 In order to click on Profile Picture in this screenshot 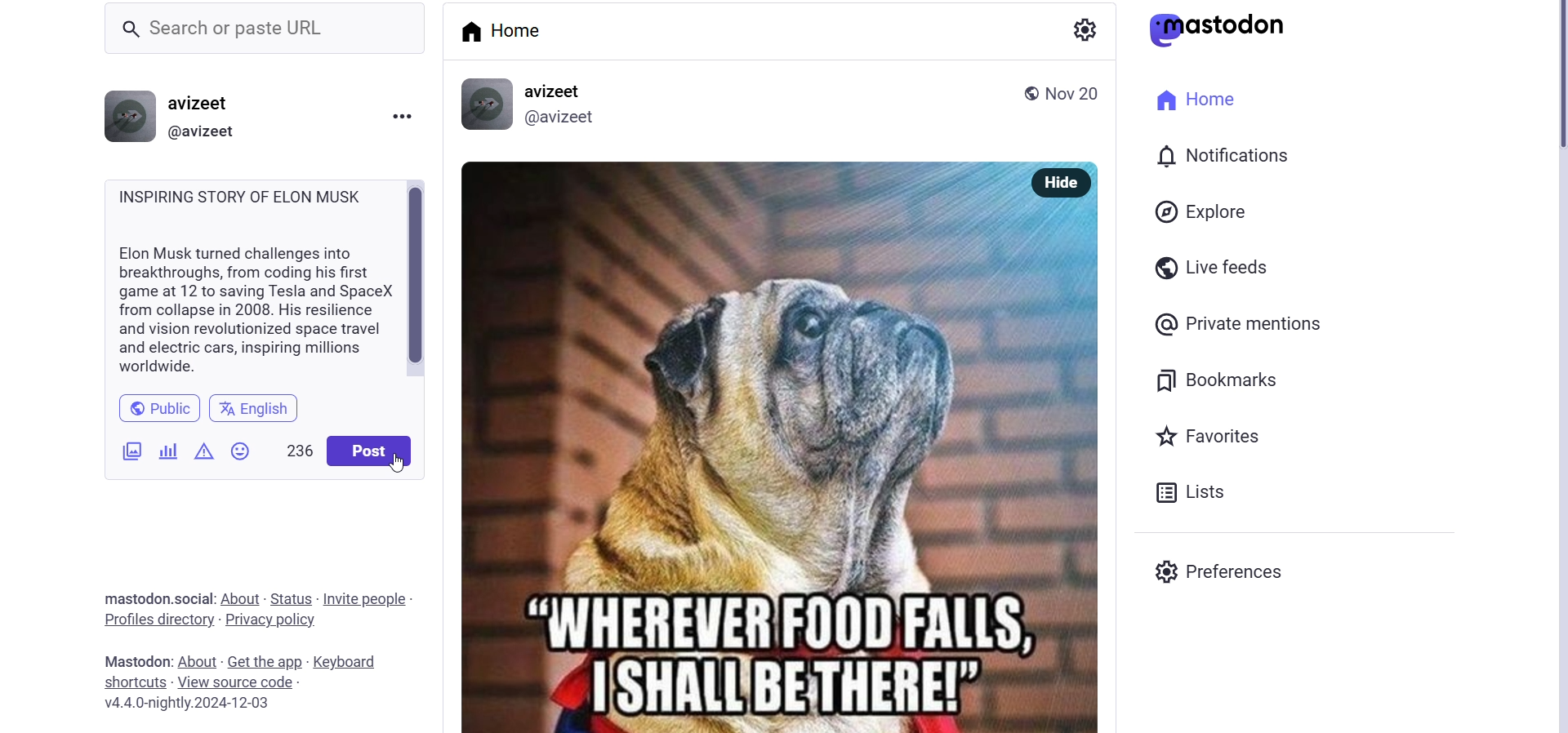, I will do `click(488, 104)`.